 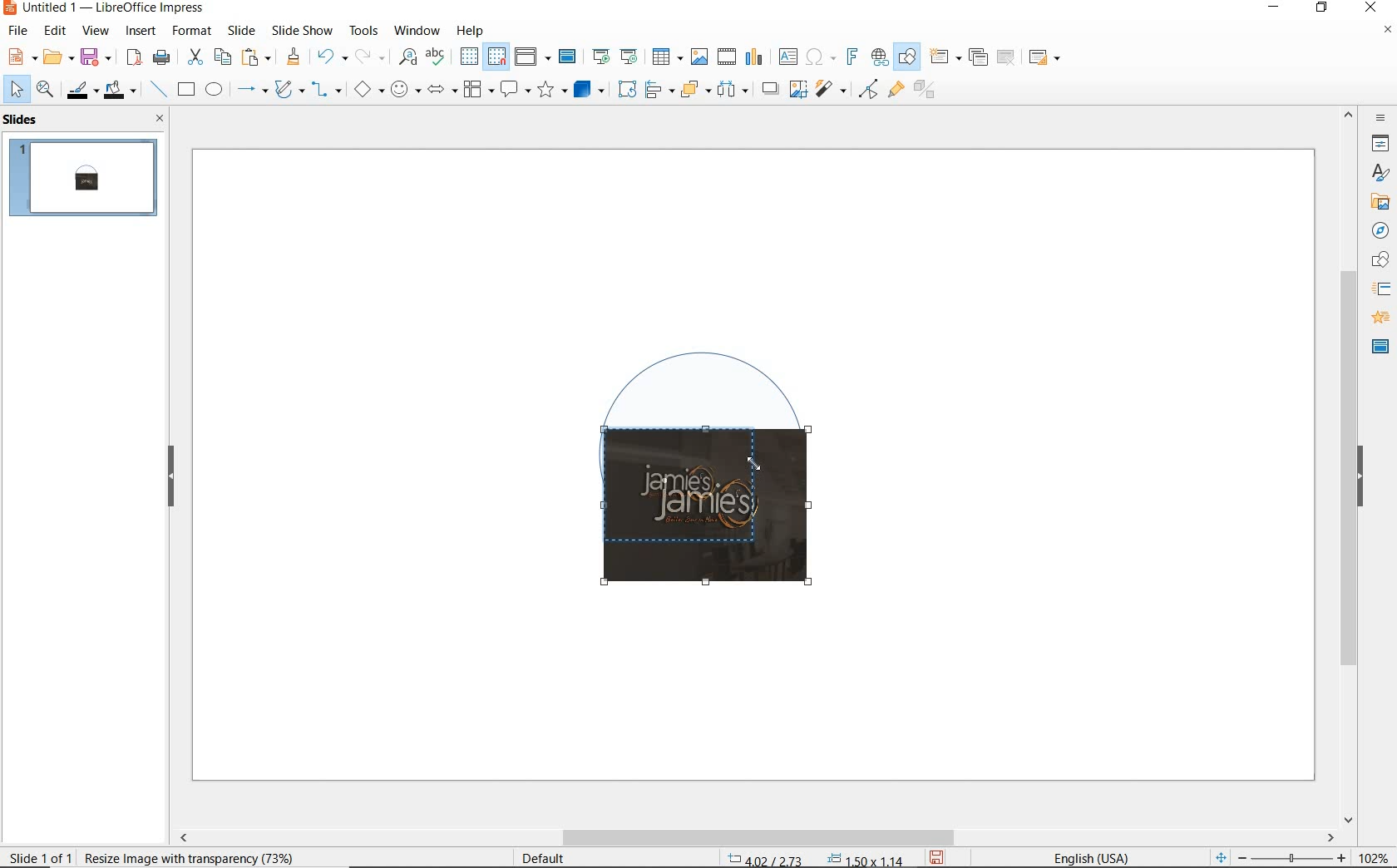 I want to click on coordinates, so click(x=813, y=860).